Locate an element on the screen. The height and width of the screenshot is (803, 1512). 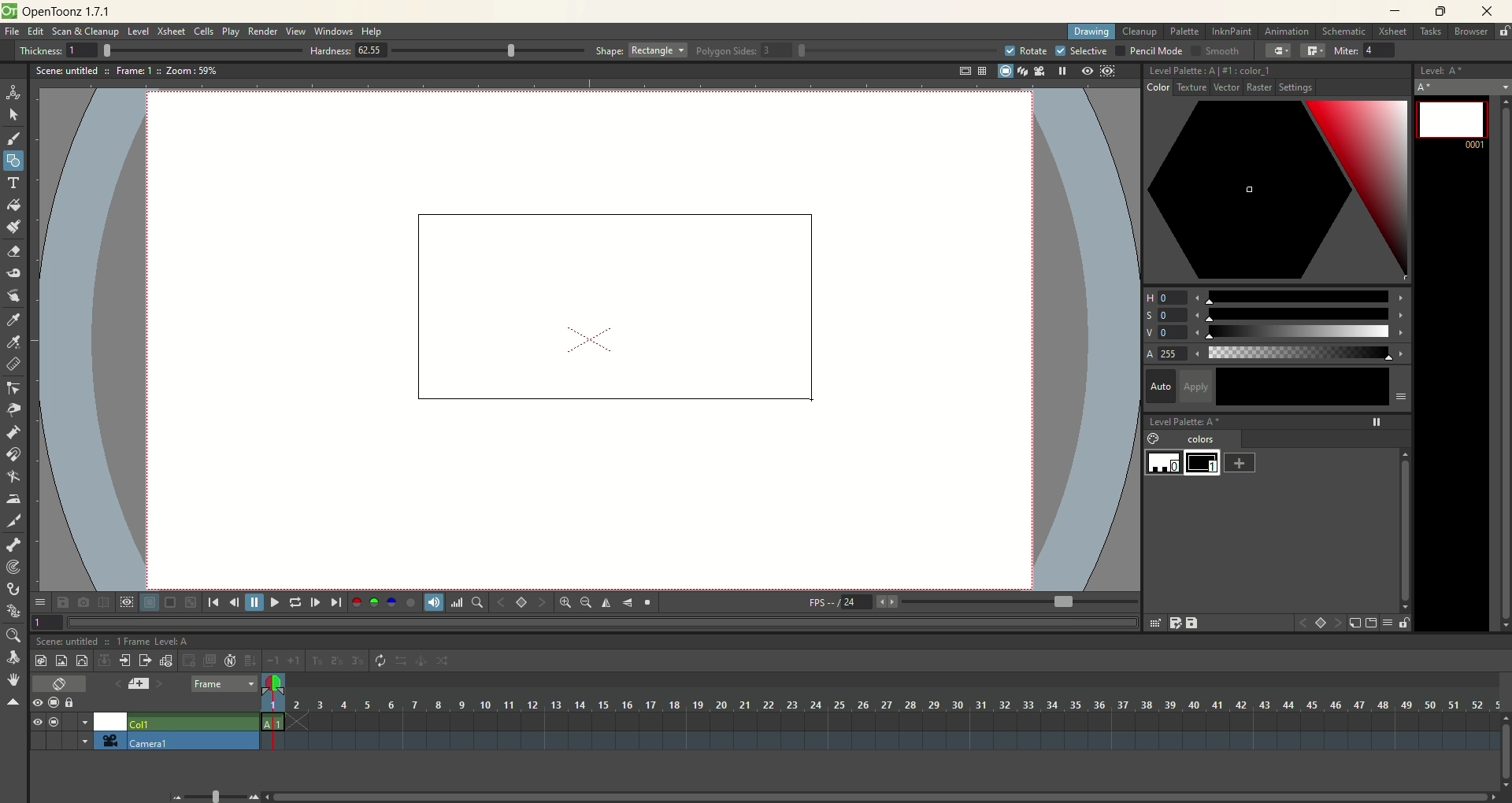
scan & cleanup is located at coordinates (91, 33).